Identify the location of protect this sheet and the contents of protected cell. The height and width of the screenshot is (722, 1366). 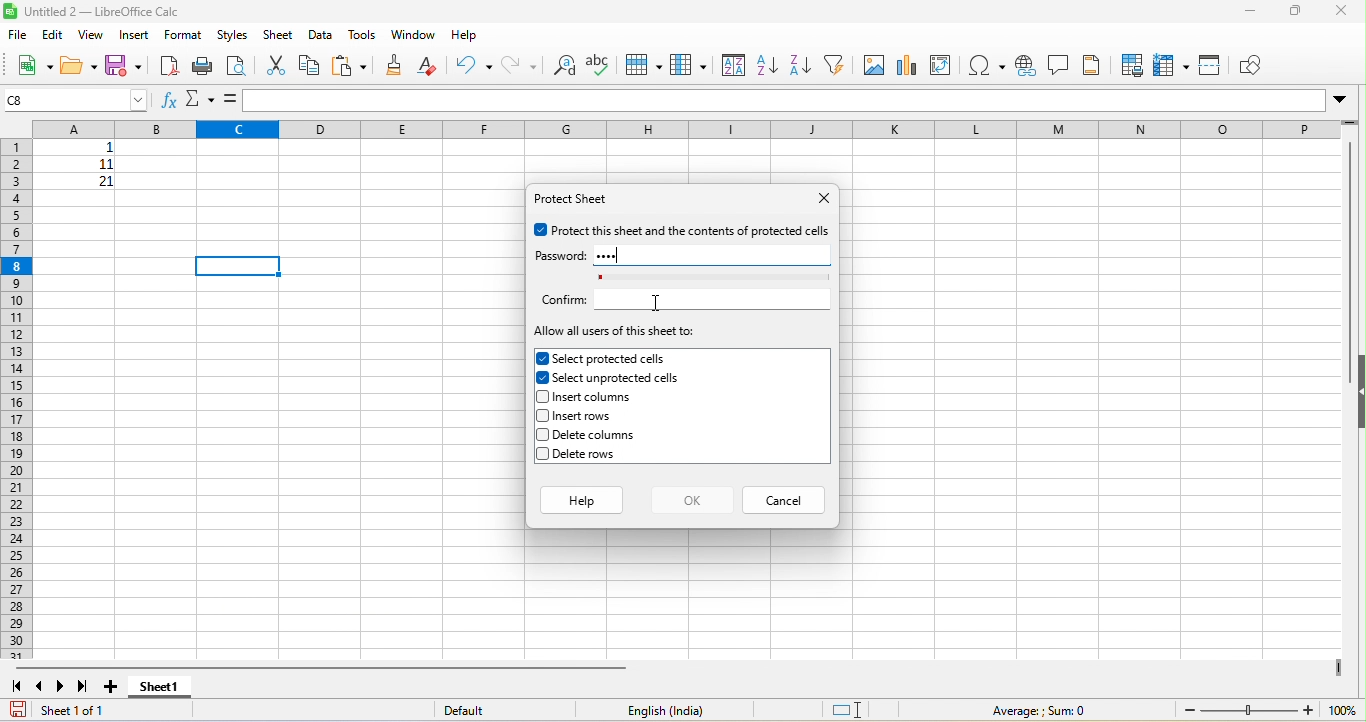
(682, 230).